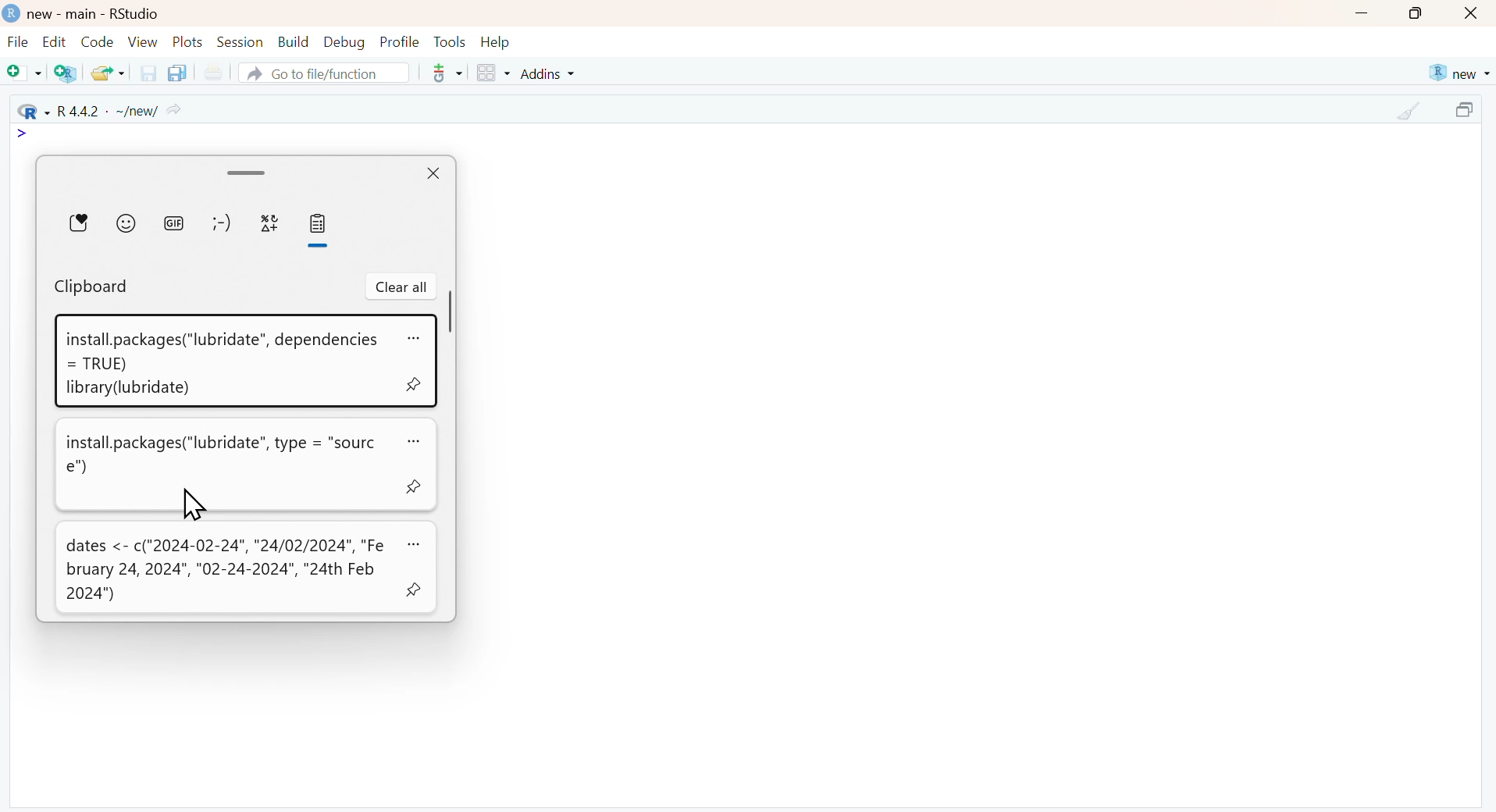 This screenshot has width=1496, height=812. I want to click on Debug, so click(343, 41).